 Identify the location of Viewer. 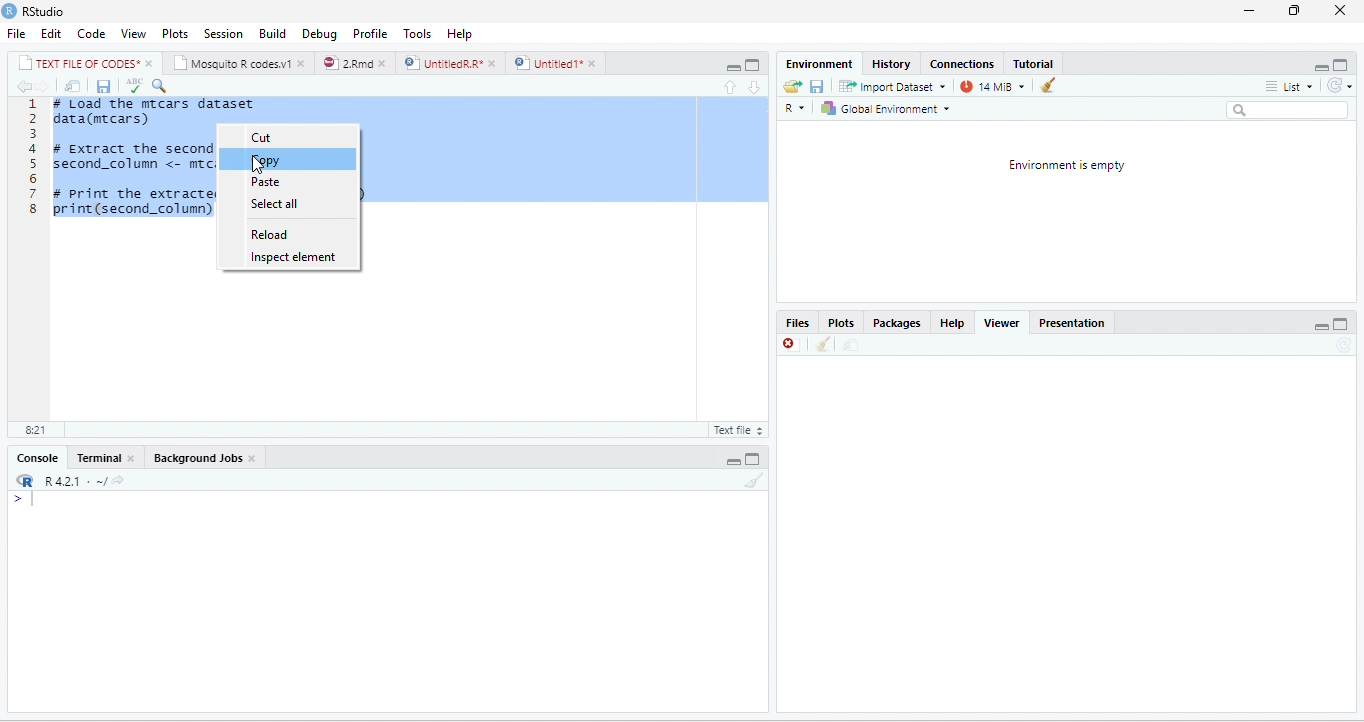
(1007, 323).